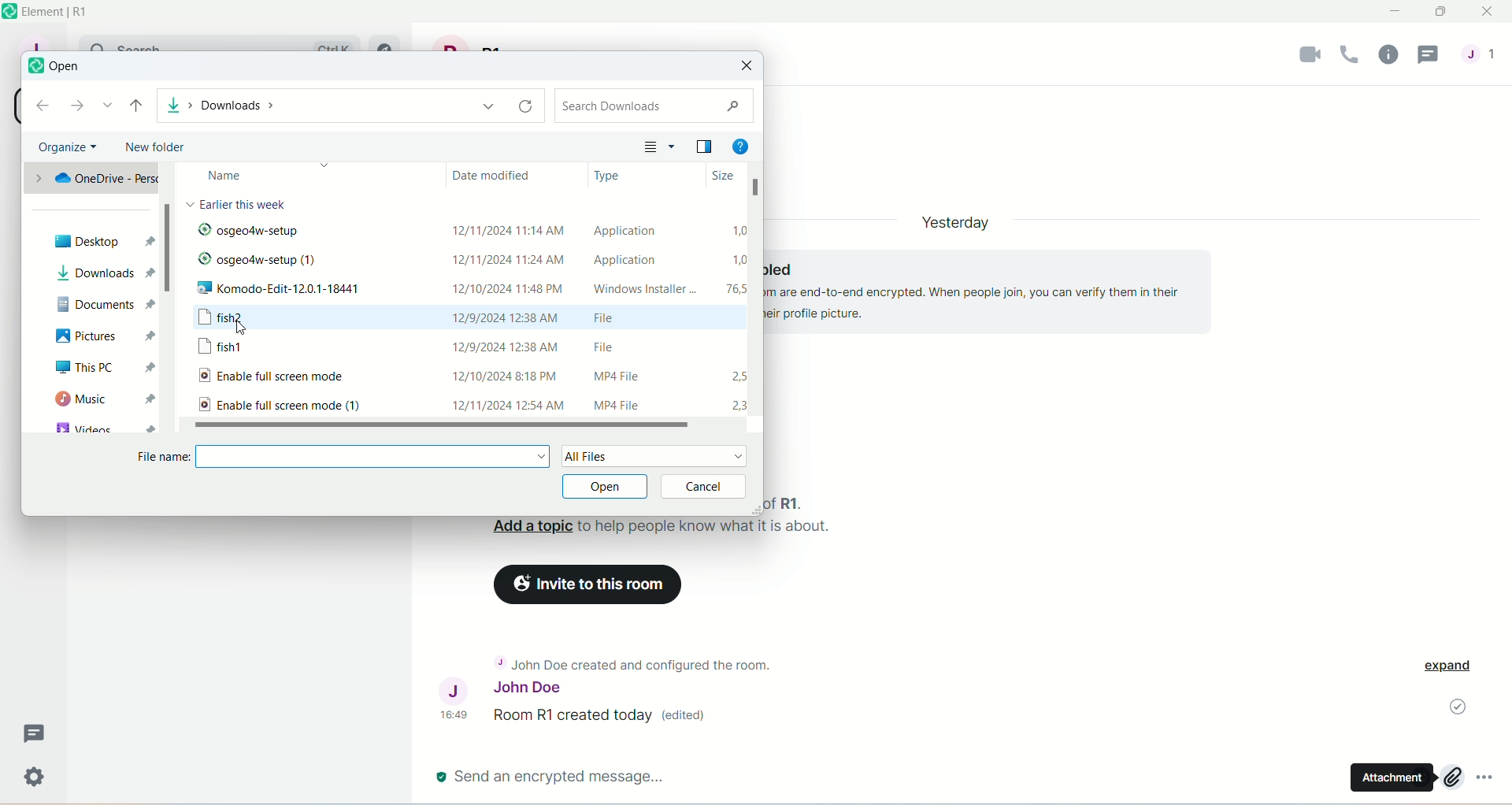 The width and height of the screenshot is (1512, 805). Describe the element at coordinates (1455, 708) in the screenshot. I see `message sent` at that location.